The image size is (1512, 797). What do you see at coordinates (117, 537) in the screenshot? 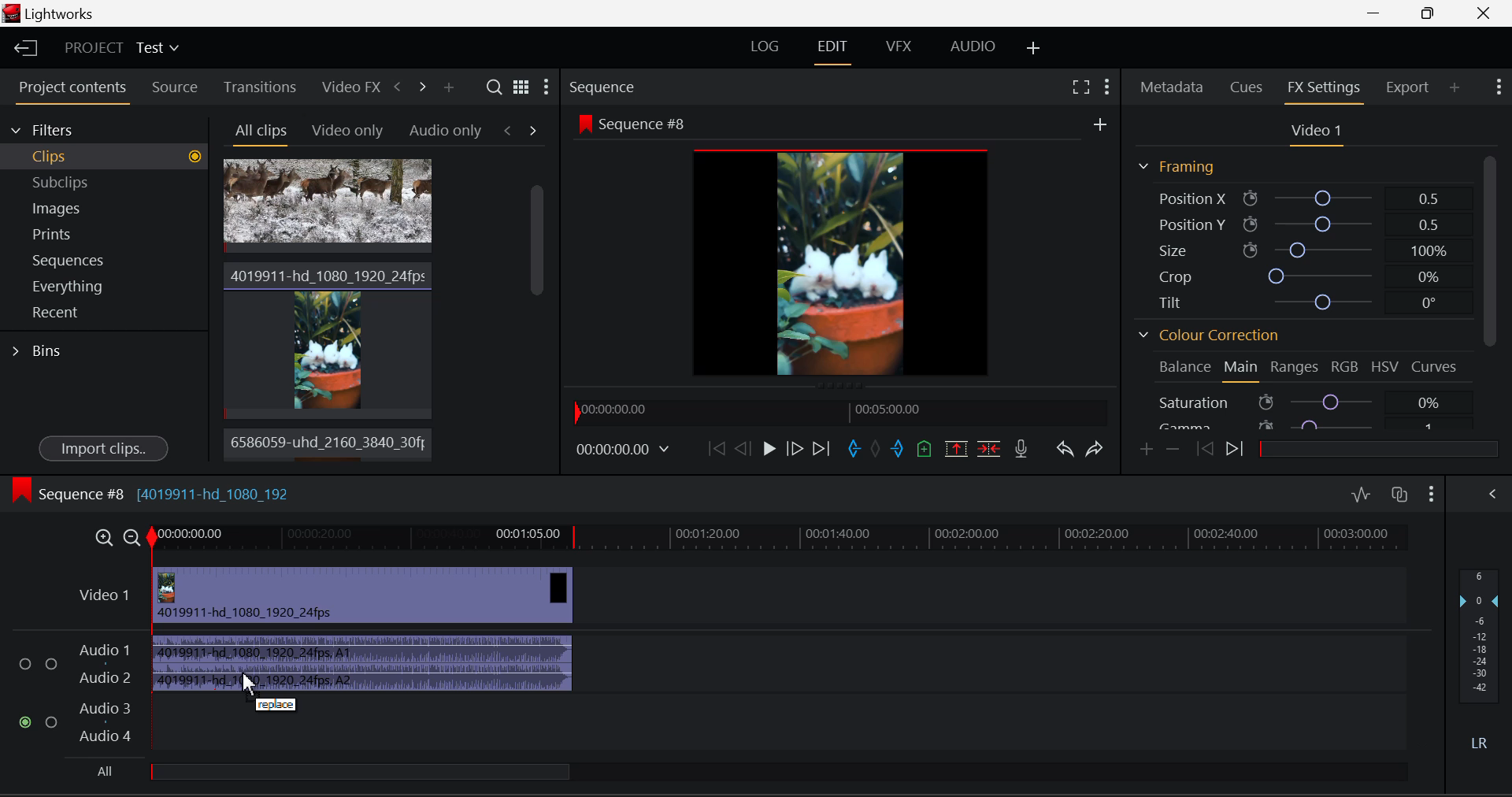
I see `Timeline Zoom In/Out` at bounding box center [117, 537].